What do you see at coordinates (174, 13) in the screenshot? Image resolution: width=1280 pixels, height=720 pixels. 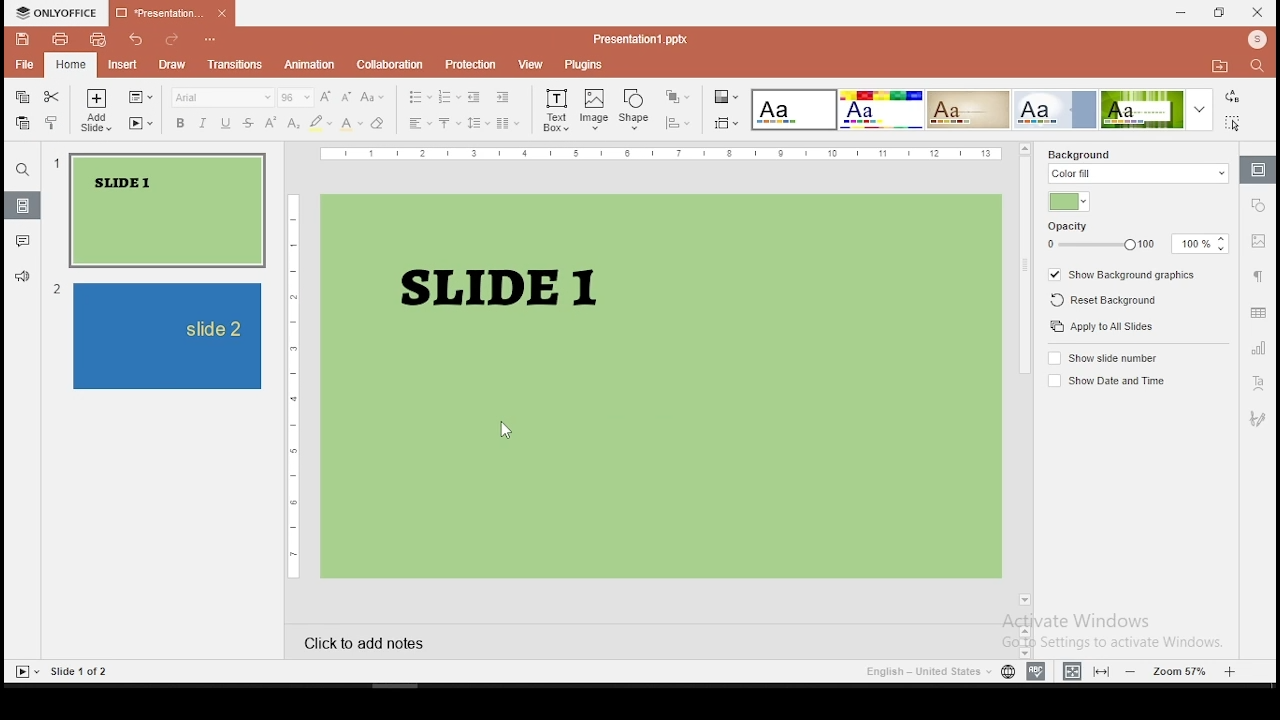 I see `Presentation` at bounding box center [174, 13].